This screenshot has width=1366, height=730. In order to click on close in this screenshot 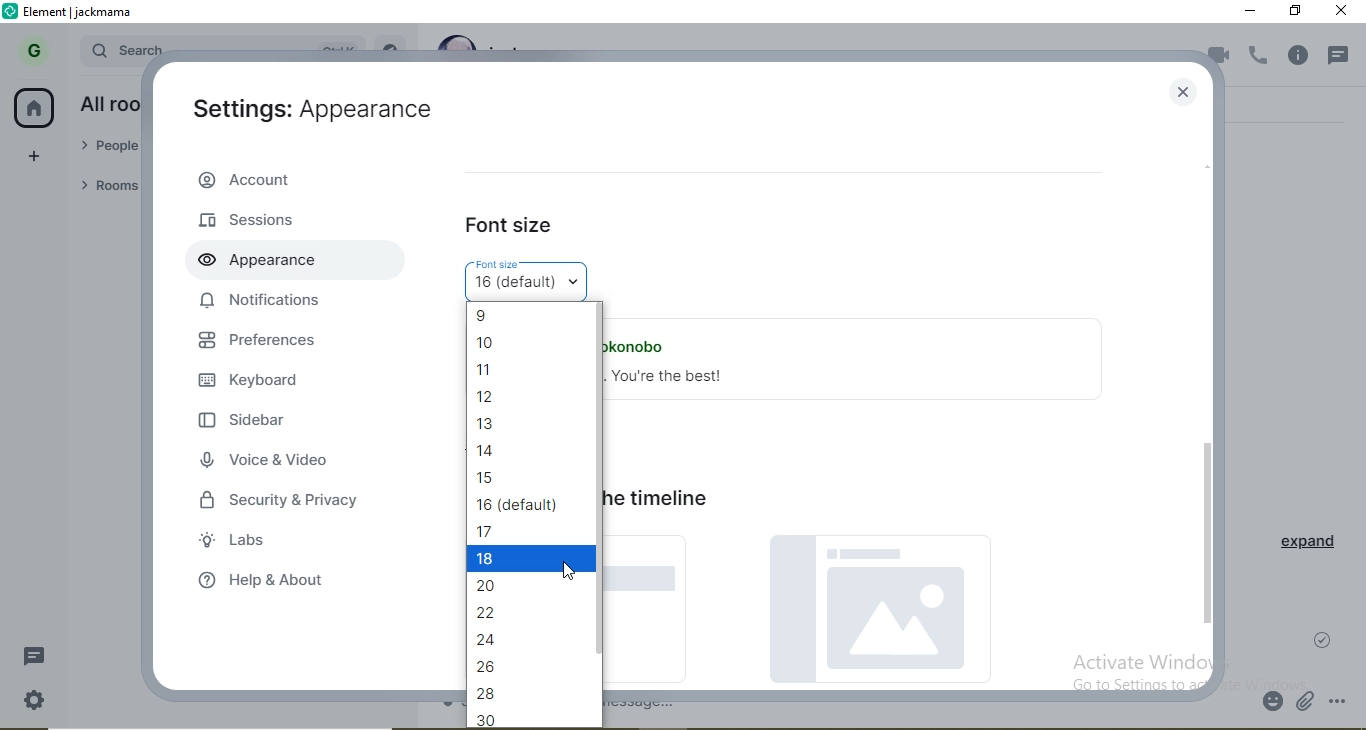, I will do `click(1343, 14)`.